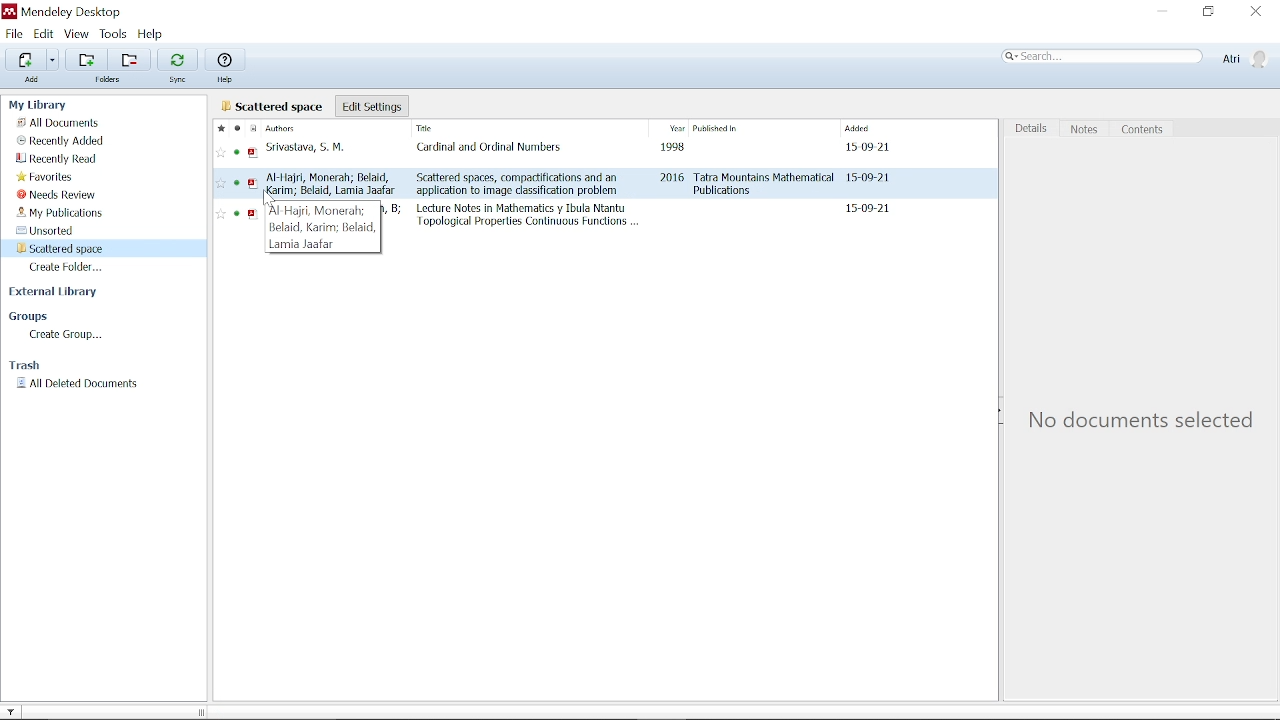  What do you see at coordinates (269, 106) in the screenshot?
I see `all documents` at bounding box center [269, 106].